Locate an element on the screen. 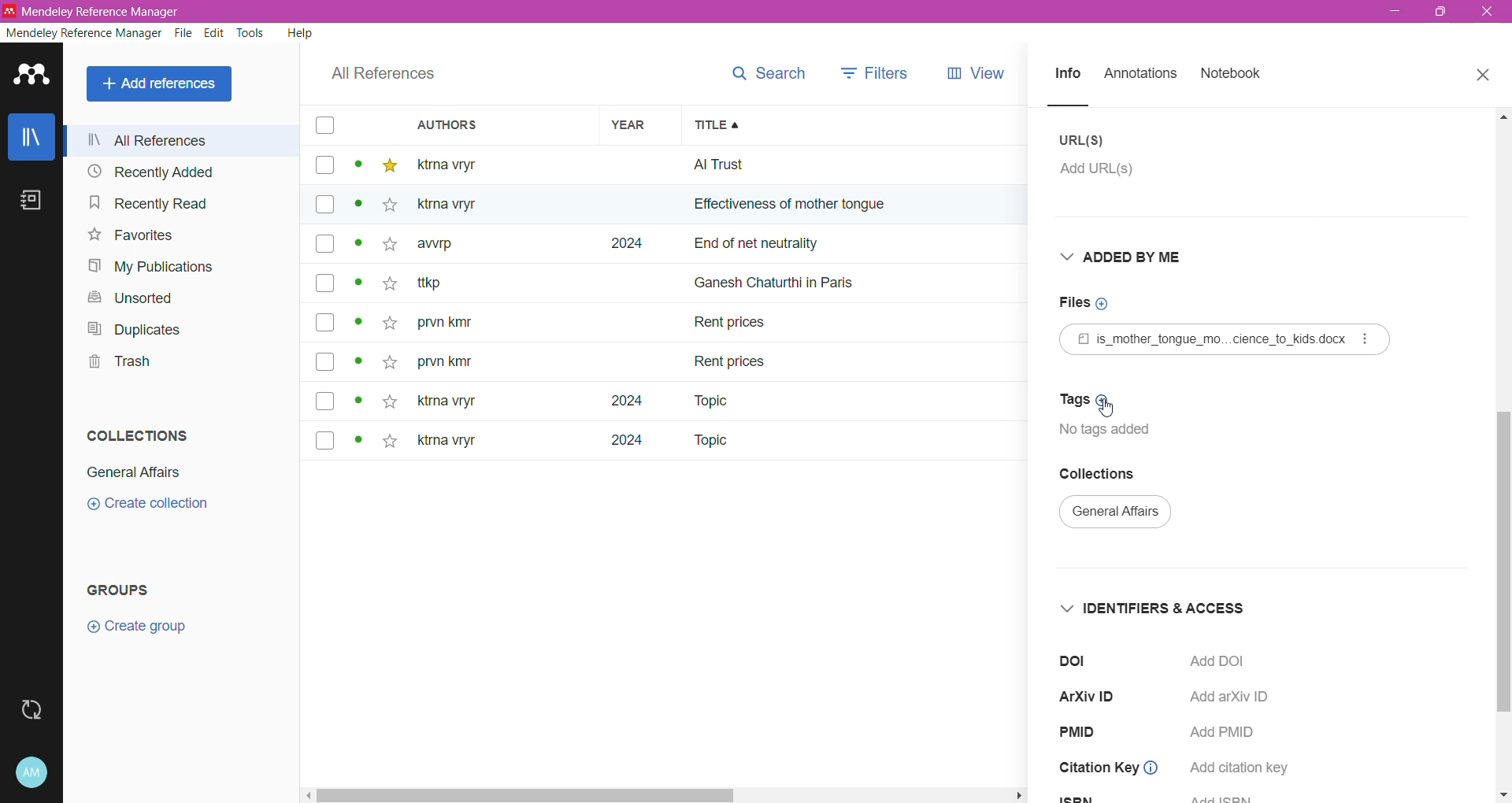 The height and width of the screenshot is (803, 1512). star is located at coordinates (388, 358).